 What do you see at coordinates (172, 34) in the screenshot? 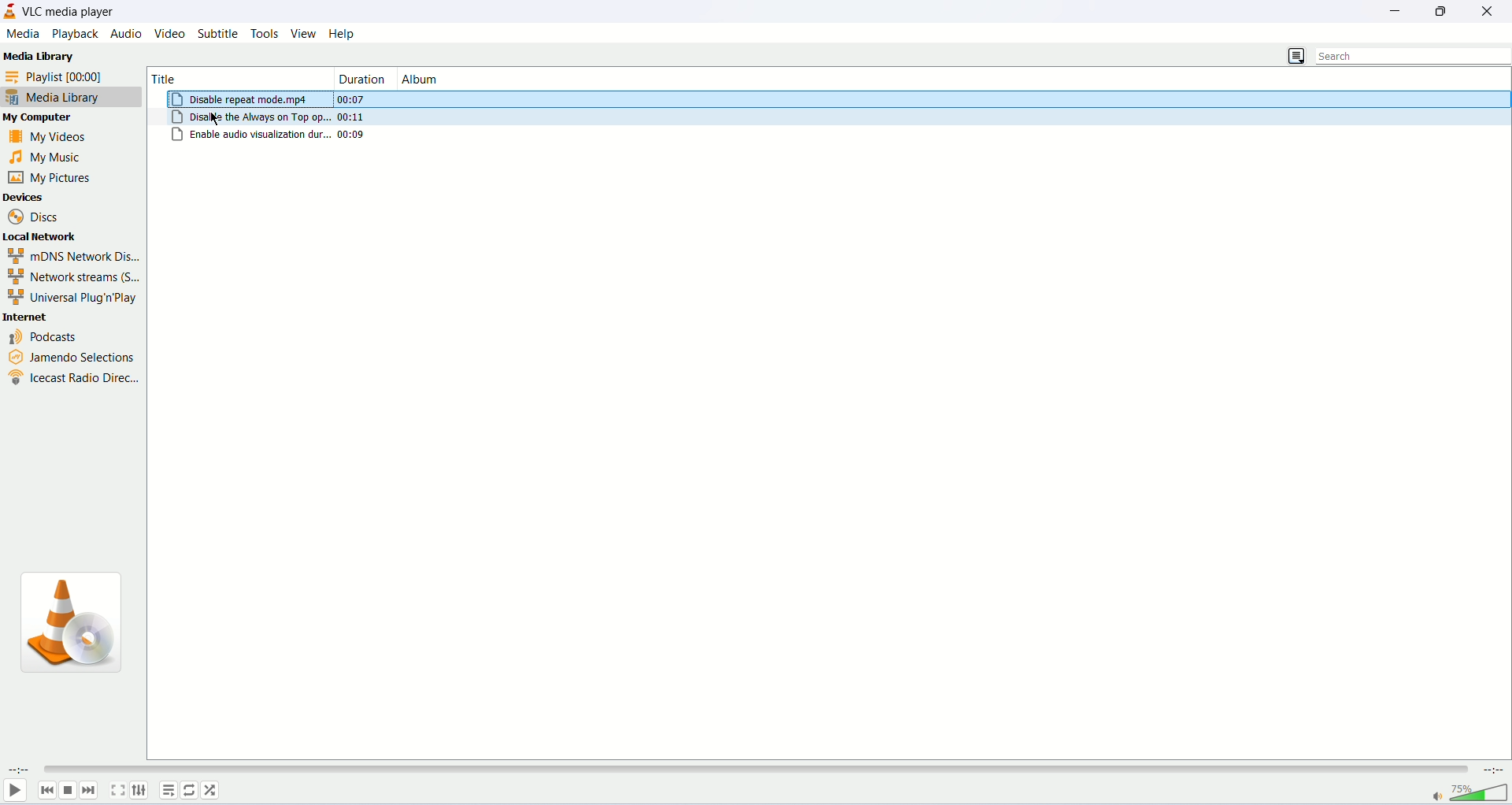
I see `video` at bounding box center [172, 34].